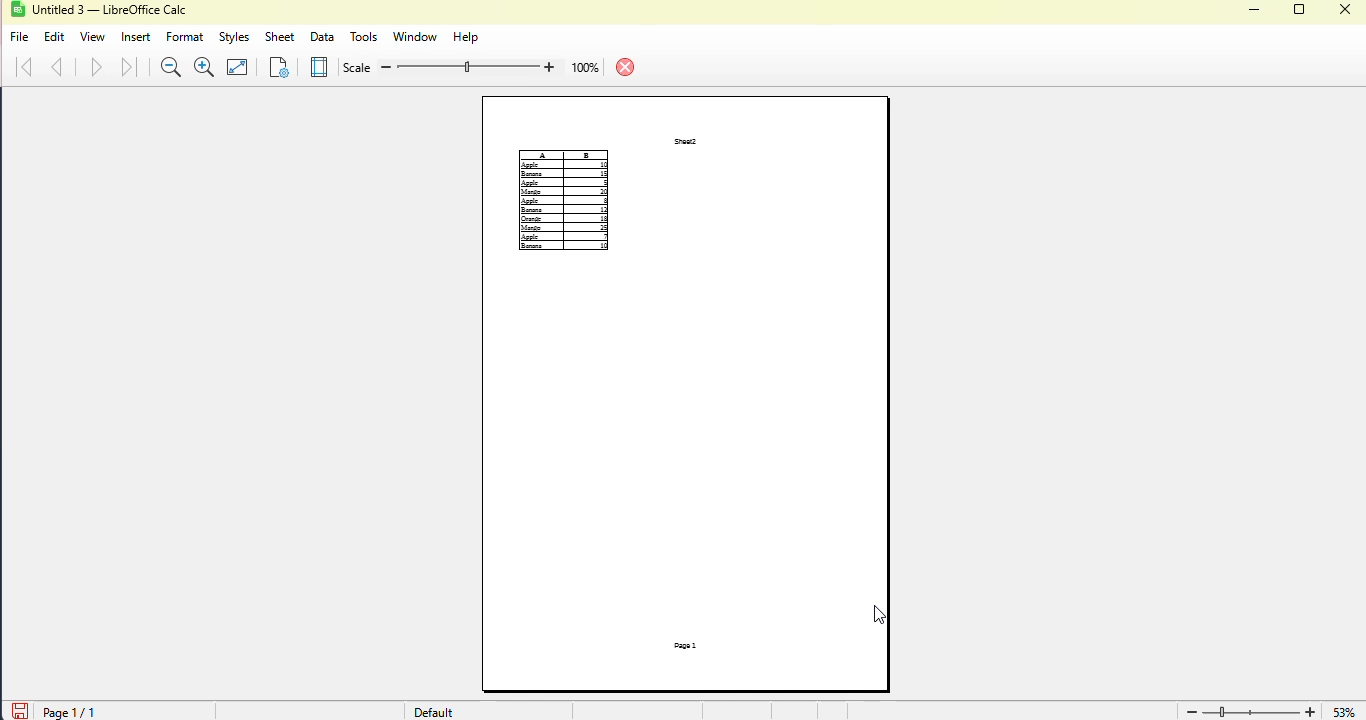 Image resolution: width=1366 pixels, height=720 pixels. I want to click on minimize, so click(1254, 10).